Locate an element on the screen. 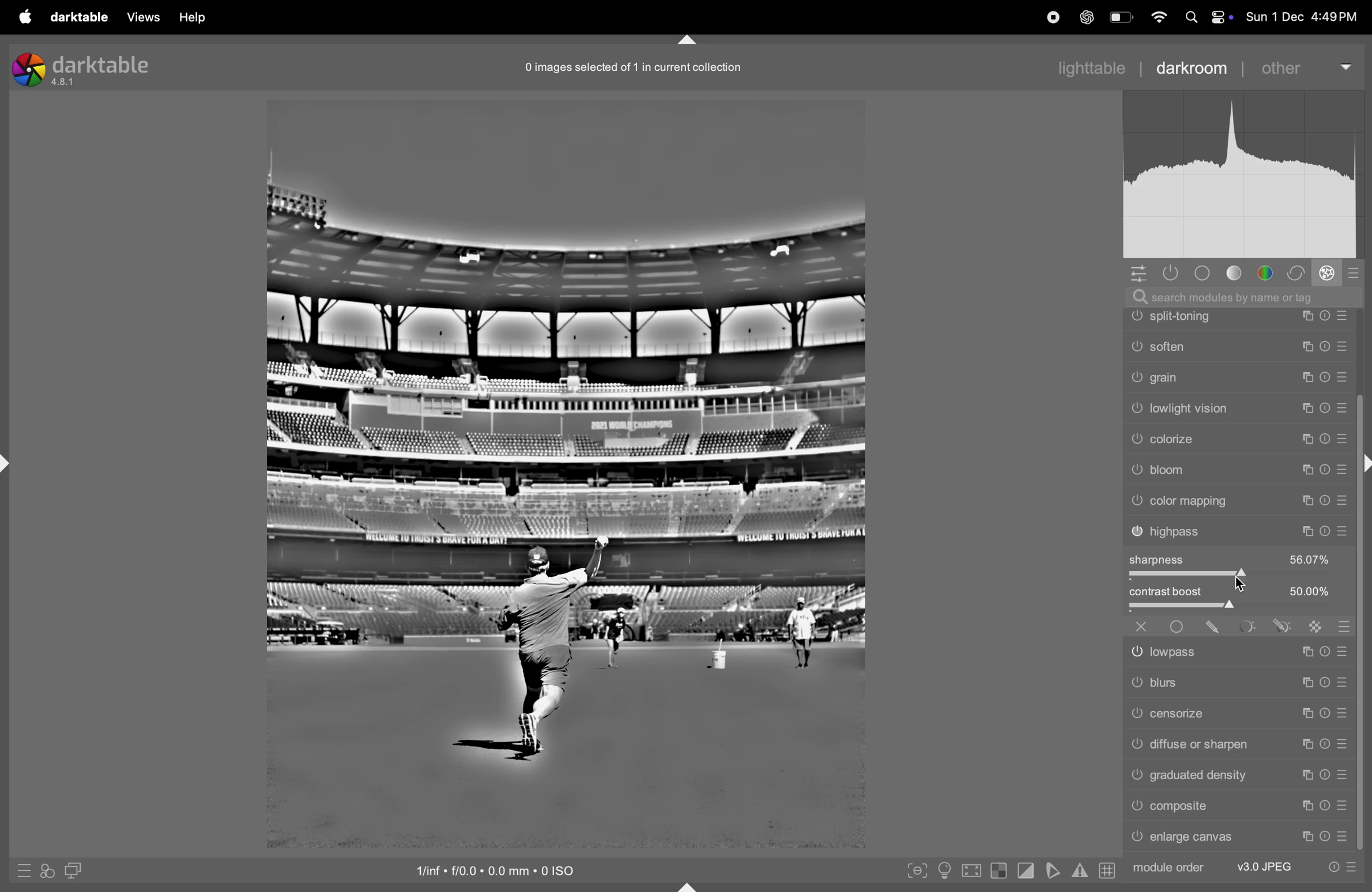 Image resolution: width=1372 pixels, height=892 pixels. preset options is located at coordinates (1342, 867).